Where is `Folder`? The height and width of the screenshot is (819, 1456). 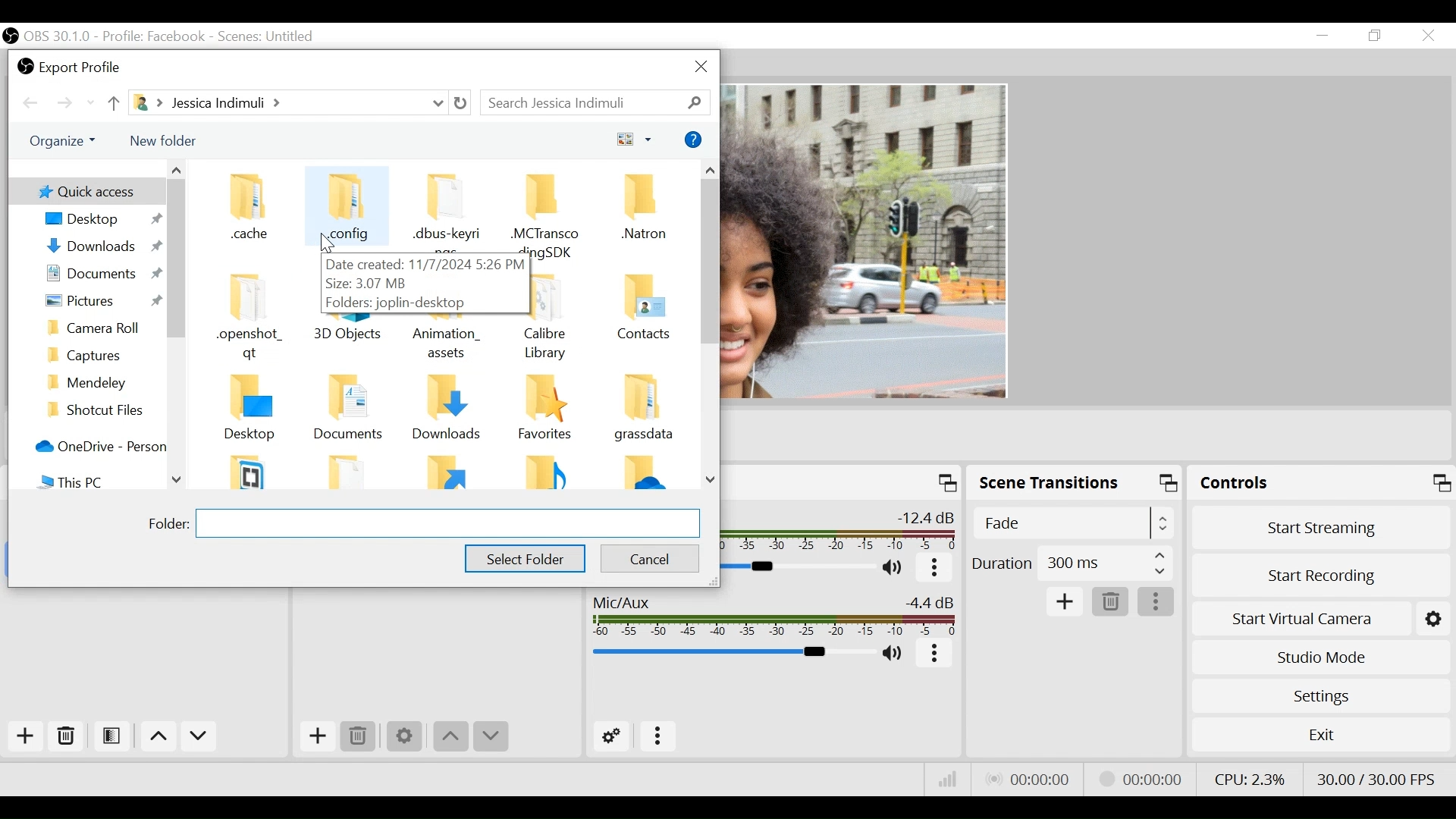 Folder is located at coordinates (256, 410).